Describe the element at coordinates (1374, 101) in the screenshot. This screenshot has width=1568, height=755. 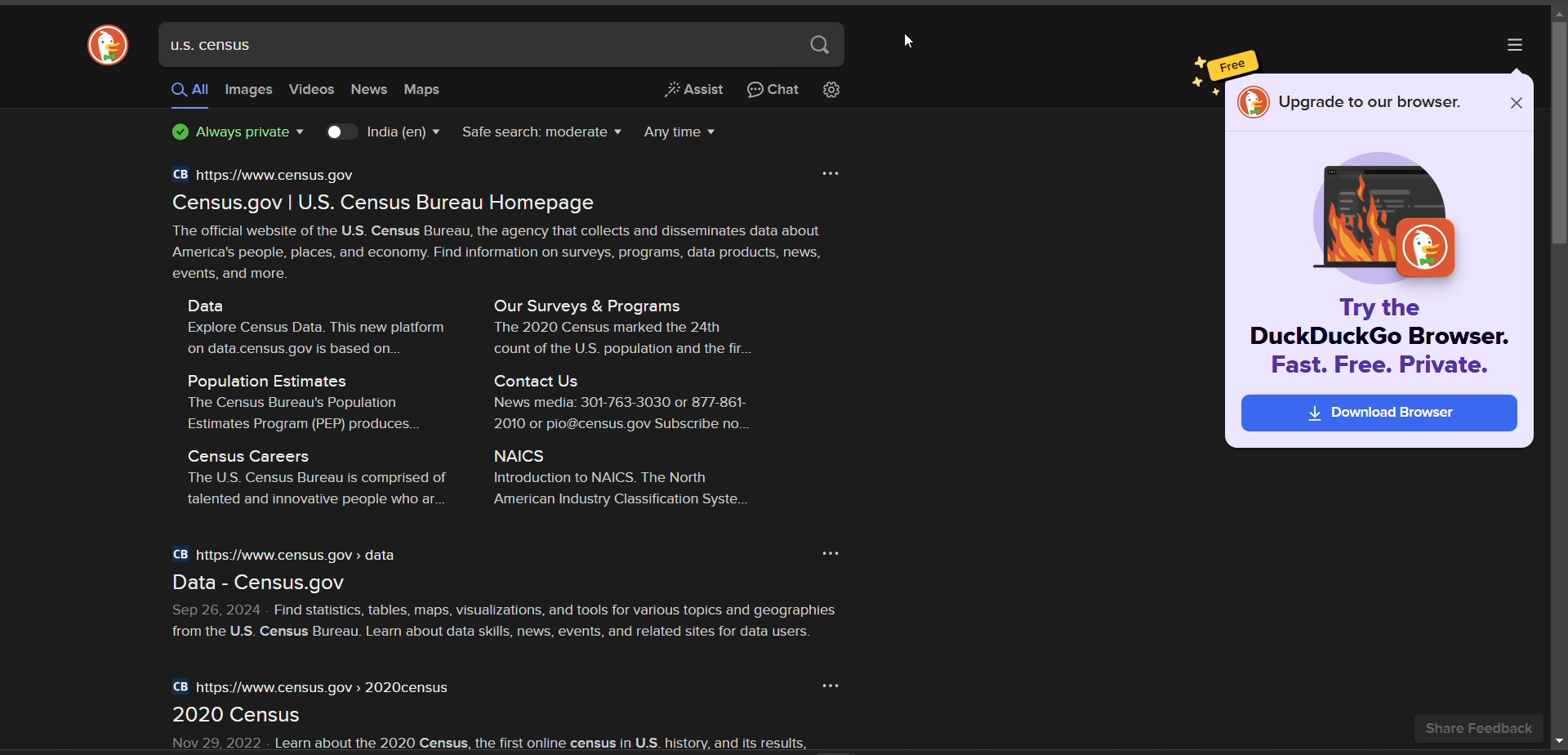
I see `upgrade to our browser` at that location.